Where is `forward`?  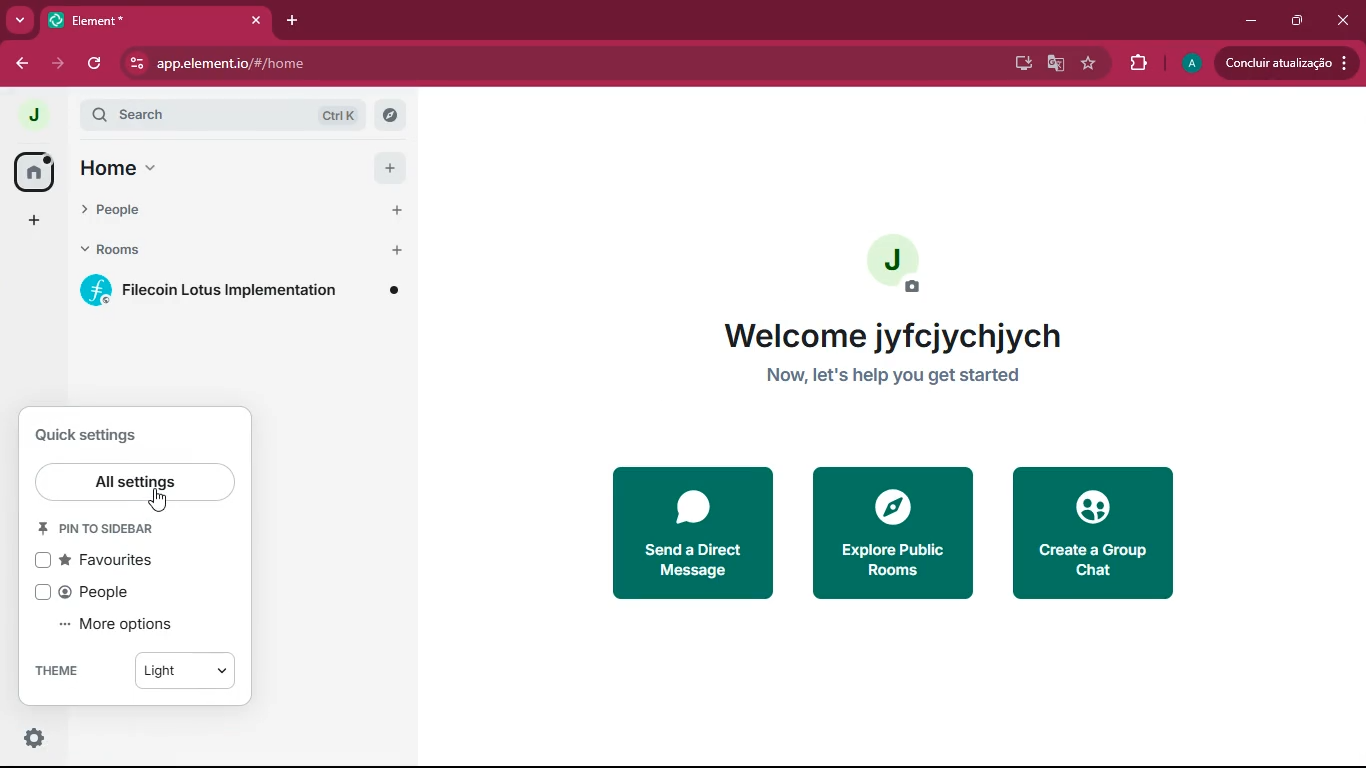 forward is located at coordinates (56, 64).